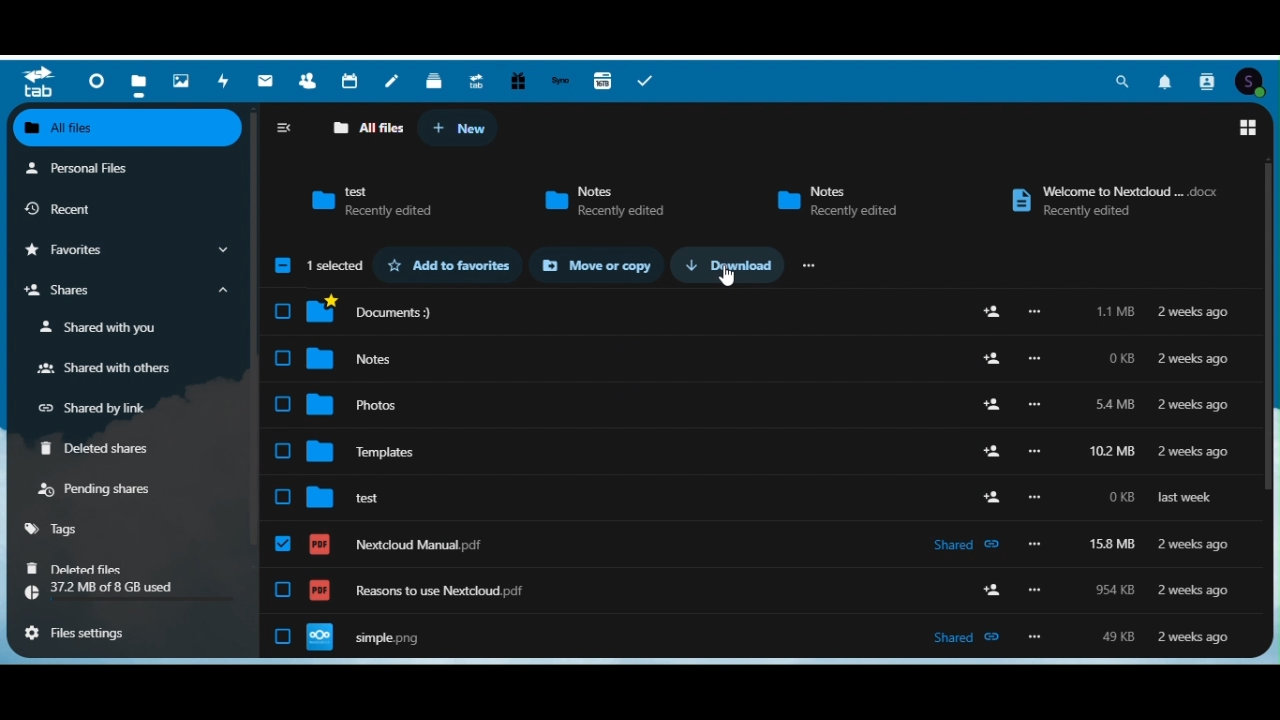 The image size is (1280, 720). What do you see at coordinates (760, 408) in the screenshot?
I see `pictures` at bounding box center [760, 408].